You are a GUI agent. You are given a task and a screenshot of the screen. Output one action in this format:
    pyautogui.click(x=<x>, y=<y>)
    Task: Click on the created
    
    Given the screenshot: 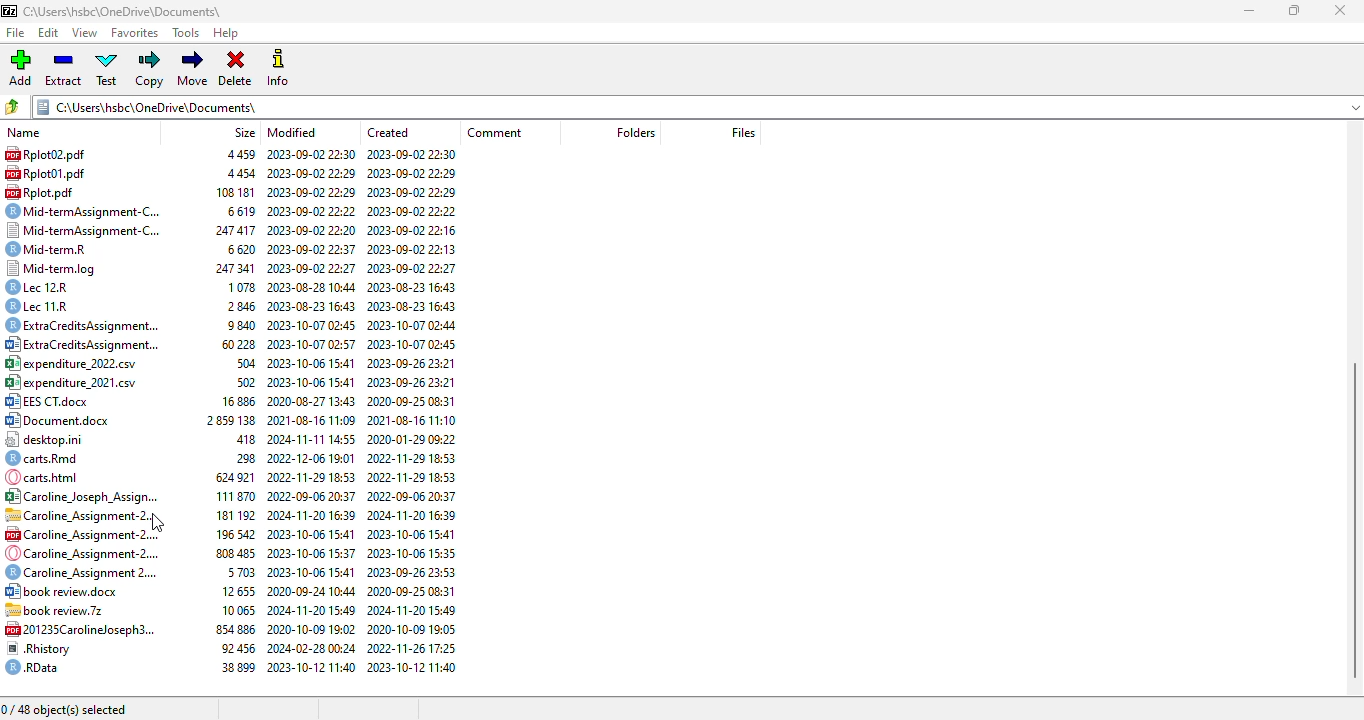 What is the action you would take?
    pyautogui.click(x=389, y=132)
    